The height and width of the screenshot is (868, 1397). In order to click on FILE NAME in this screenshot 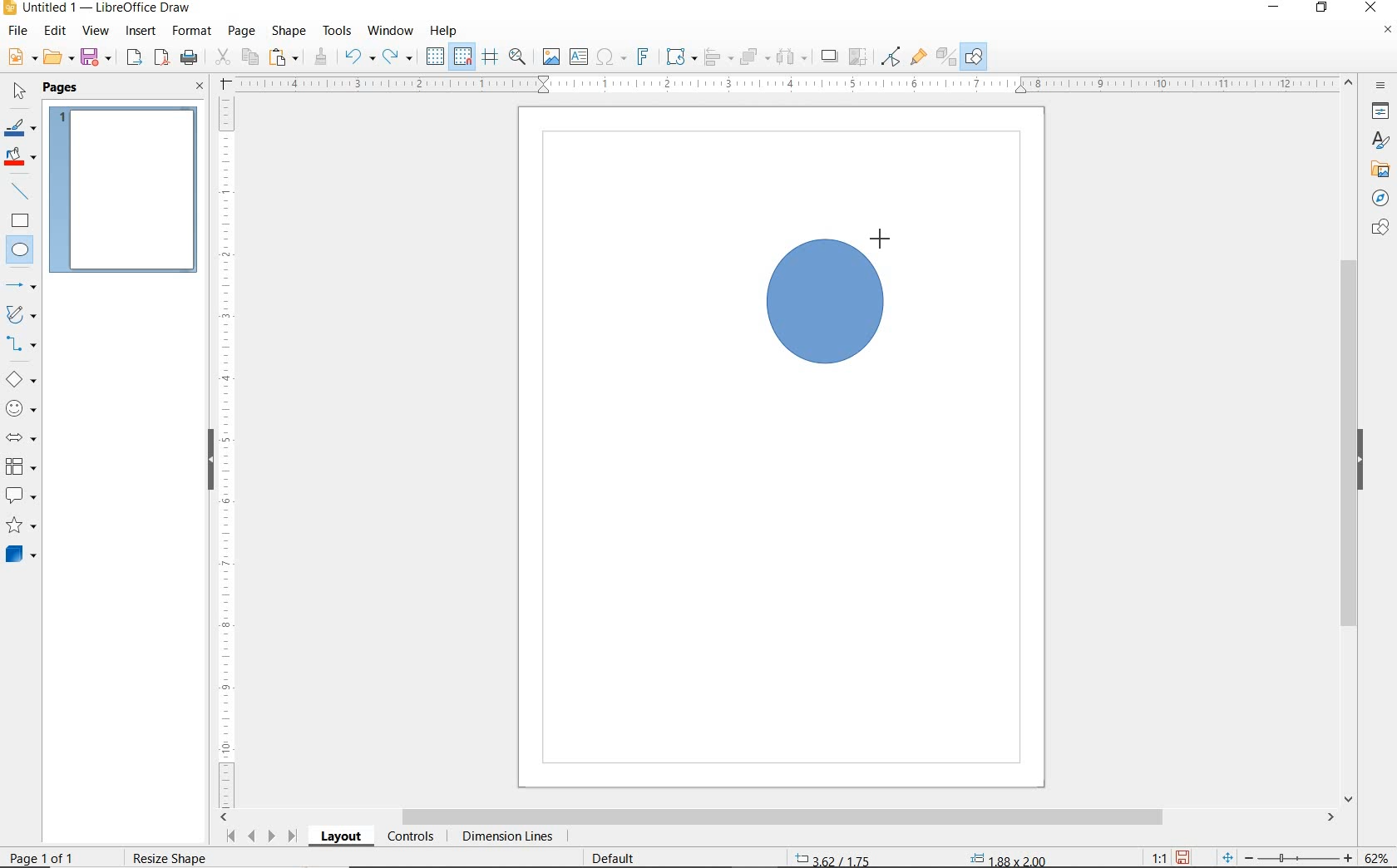, I will do `click(96, 9)`.